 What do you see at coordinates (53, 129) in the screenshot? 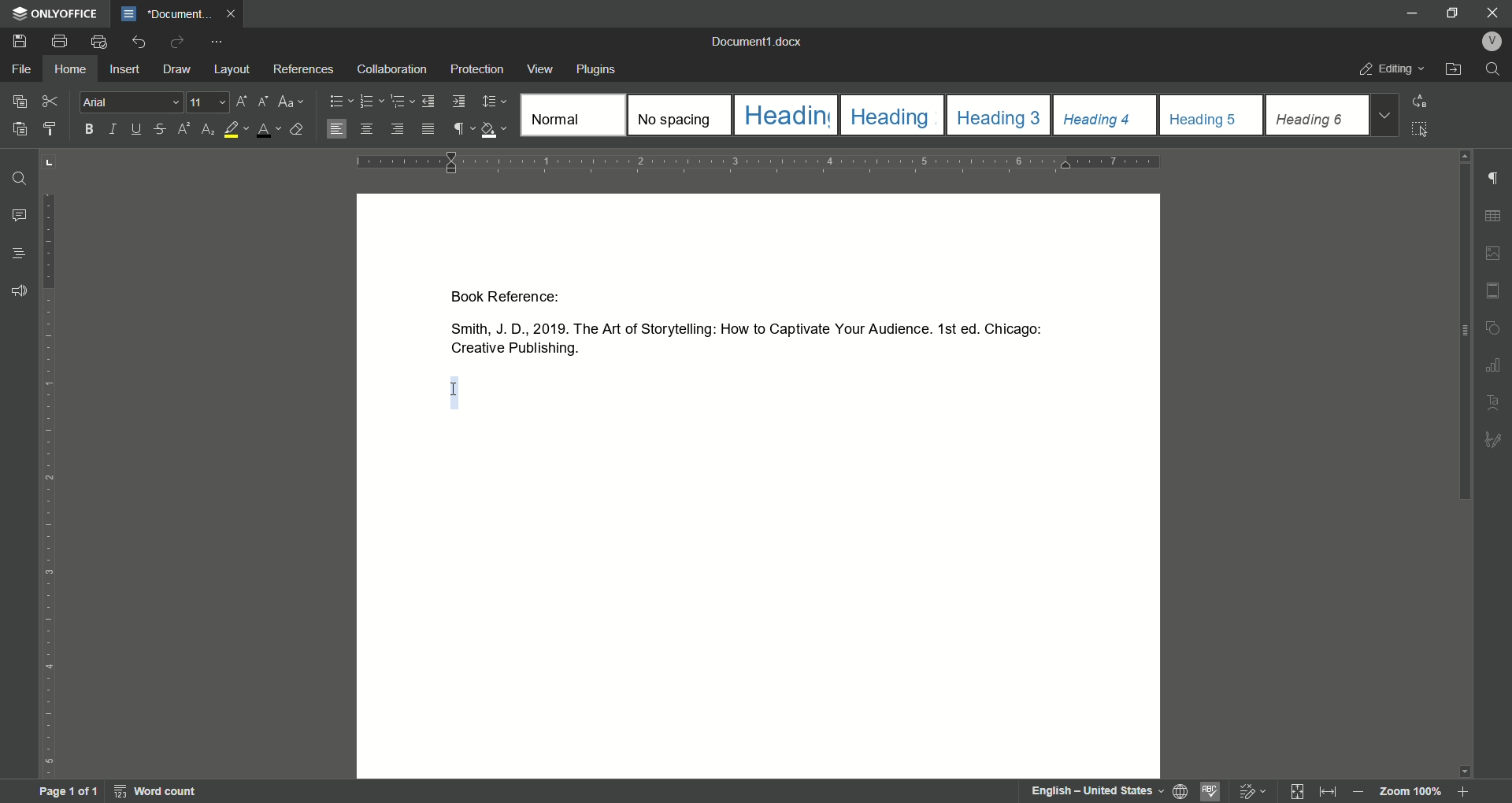
I see `copy style` at bounding box center [53, 129].